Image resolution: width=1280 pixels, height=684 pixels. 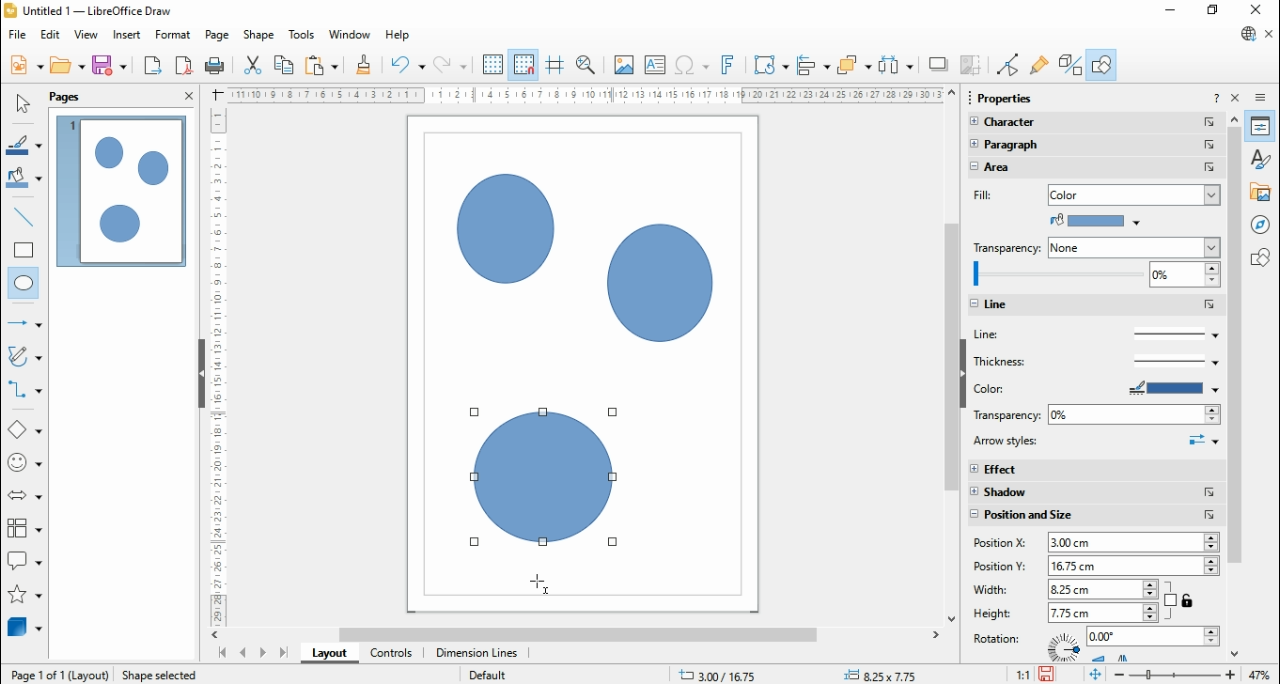 What do you see at coordinates (1030, 168) in the screenshot?
I see `area` at bounding box center [1030, 168].